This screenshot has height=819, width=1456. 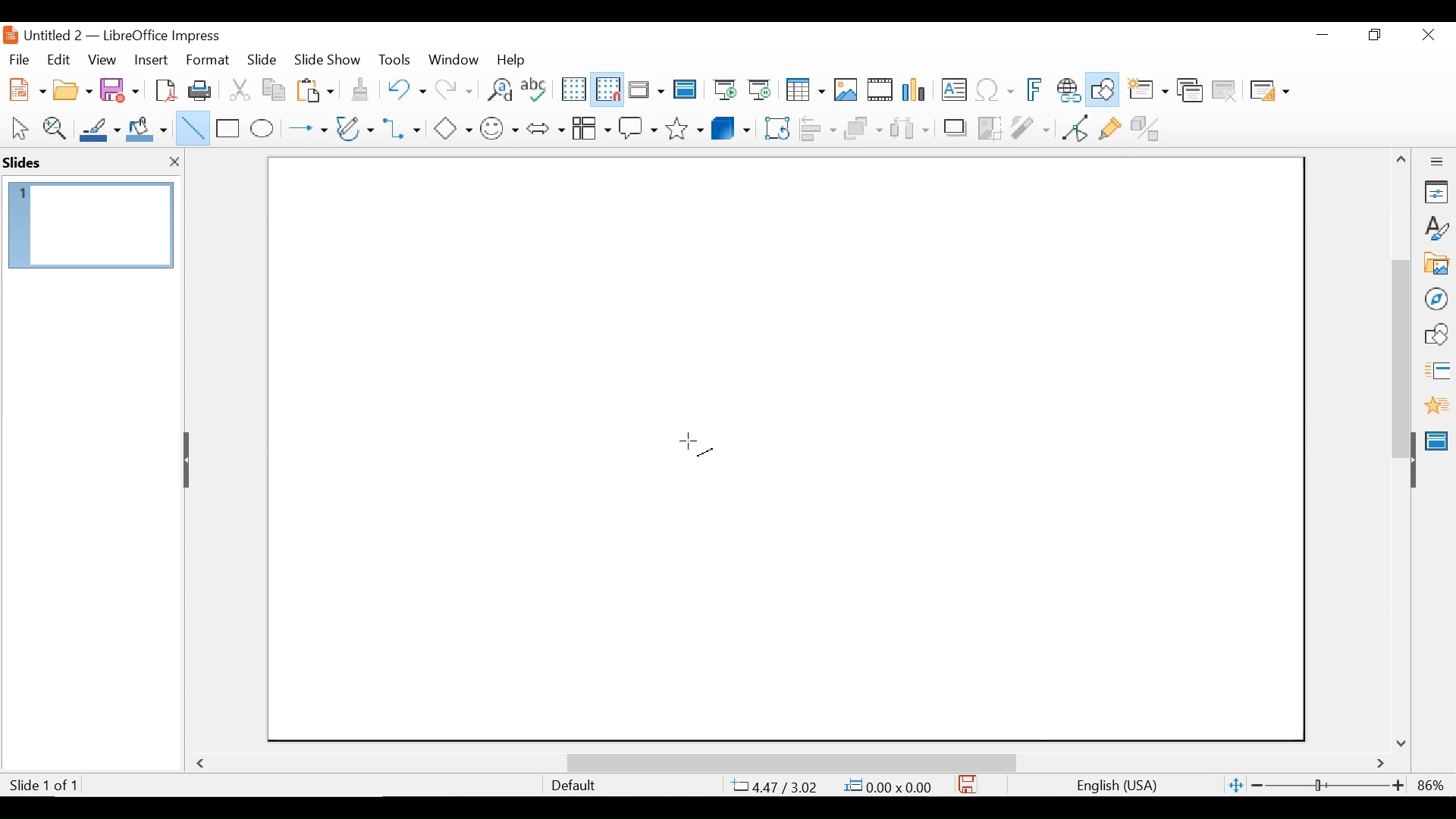 What do you see at coordinates (89, 224) in the screenshot?
I see `Slide Preview` at bounding box center [89, 224].